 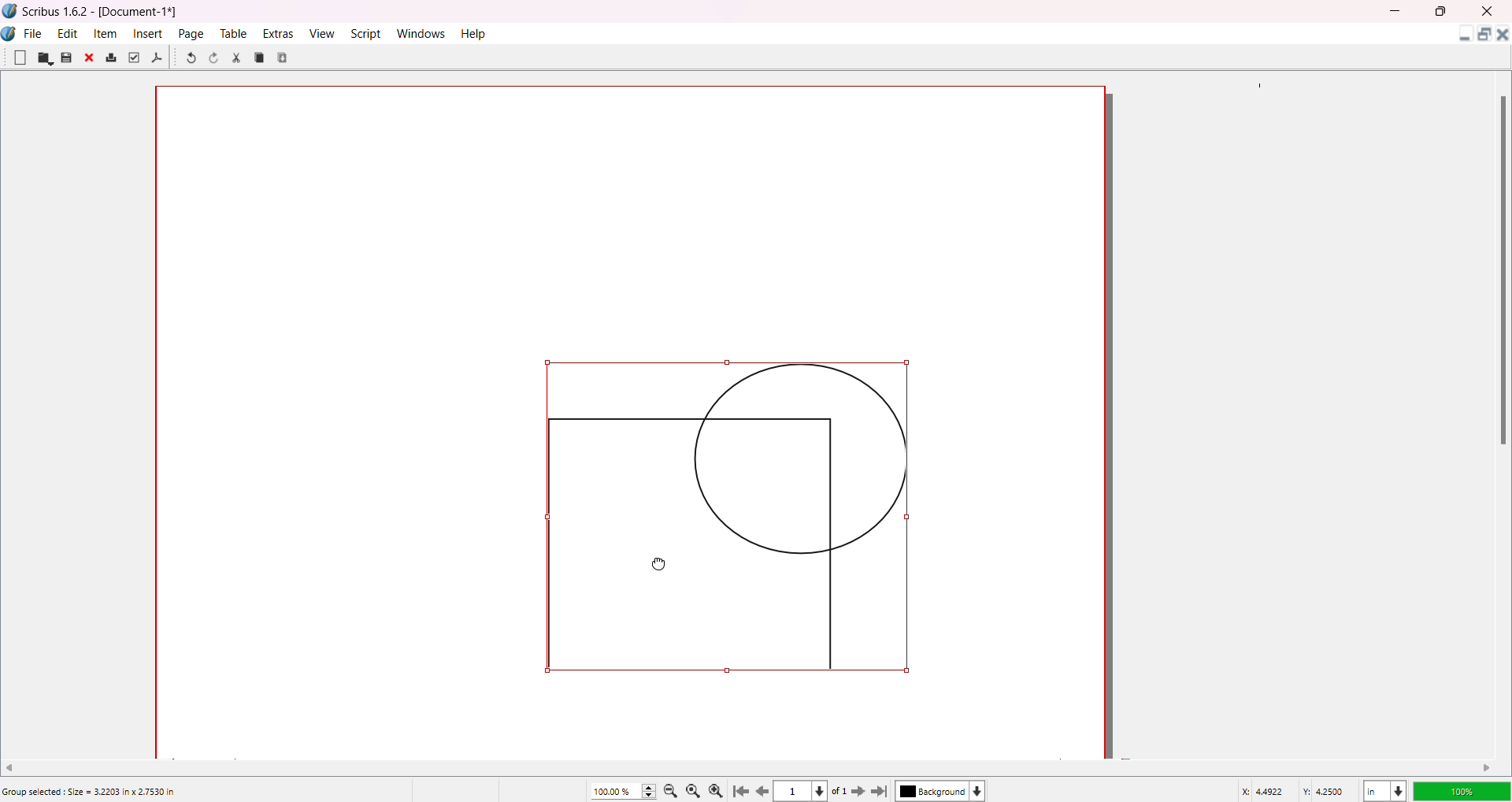 What do you see at coordinates (284, 57) in the screenshot?
I see `Paste` at bounding box center [284, 57].